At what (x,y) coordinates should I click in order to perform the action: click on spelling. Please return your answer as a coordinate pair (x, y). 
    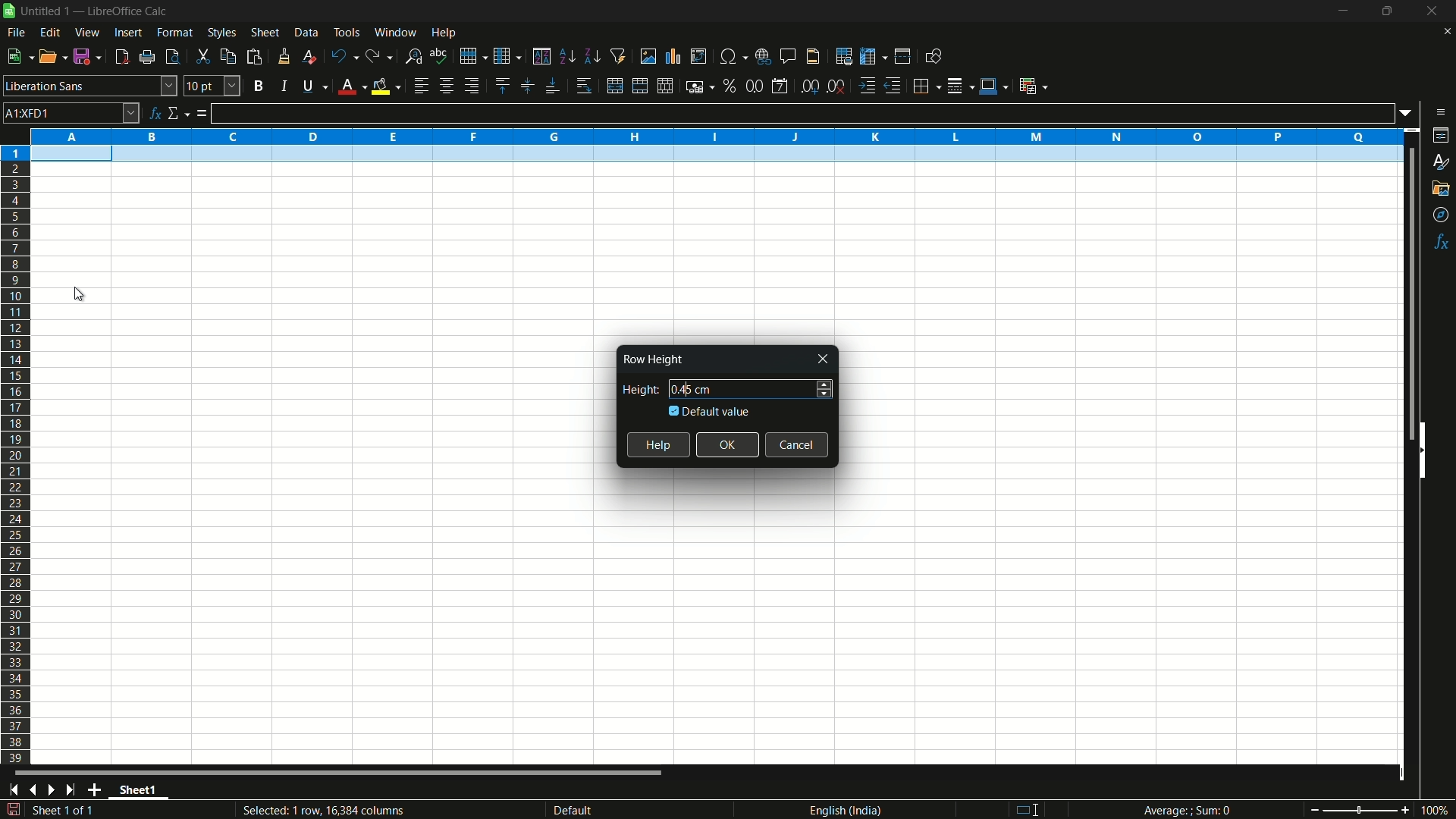
    Looking at the image, I should click on (439, 55).